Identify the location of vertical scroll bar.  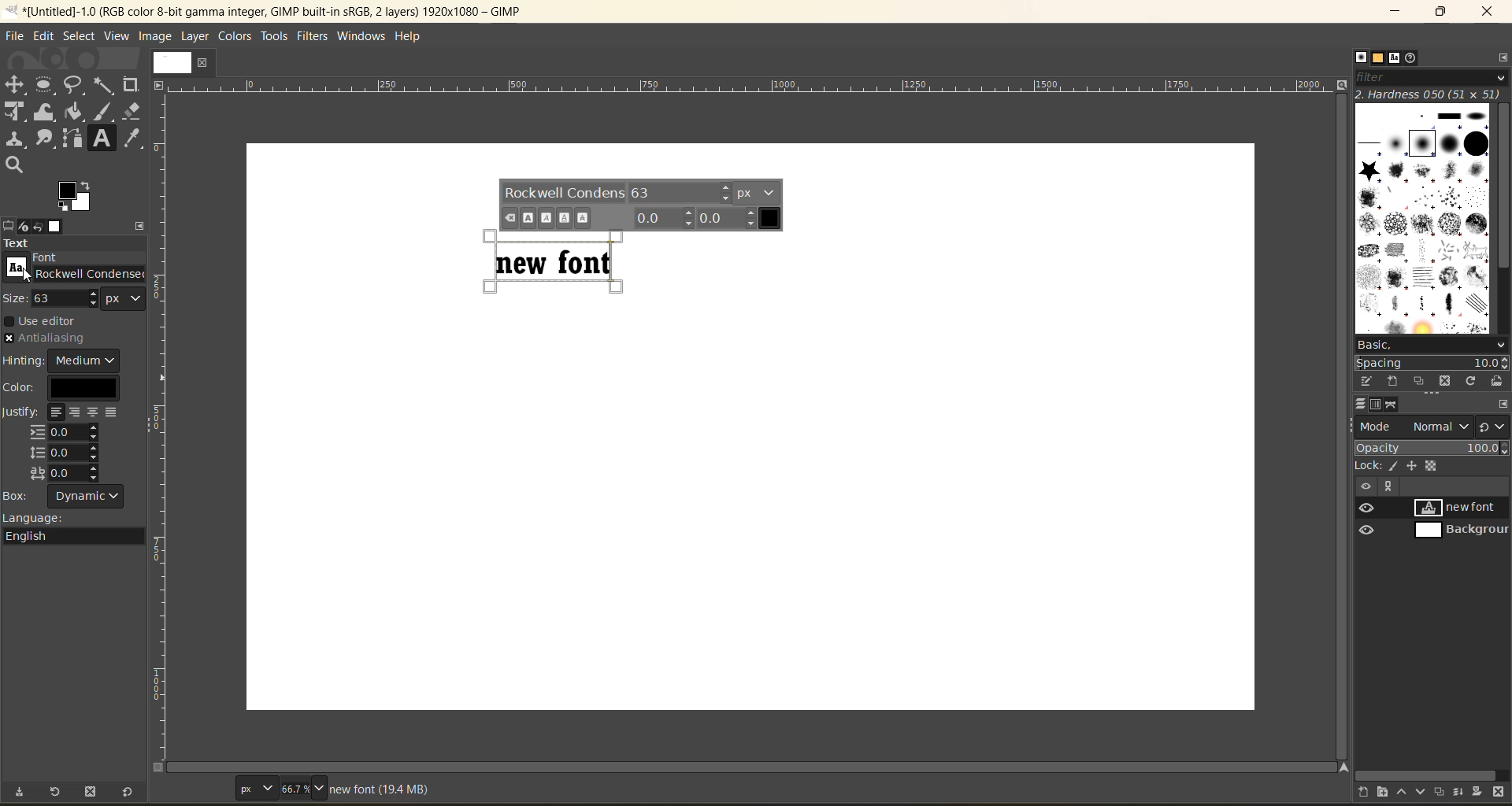
(1502, 188).